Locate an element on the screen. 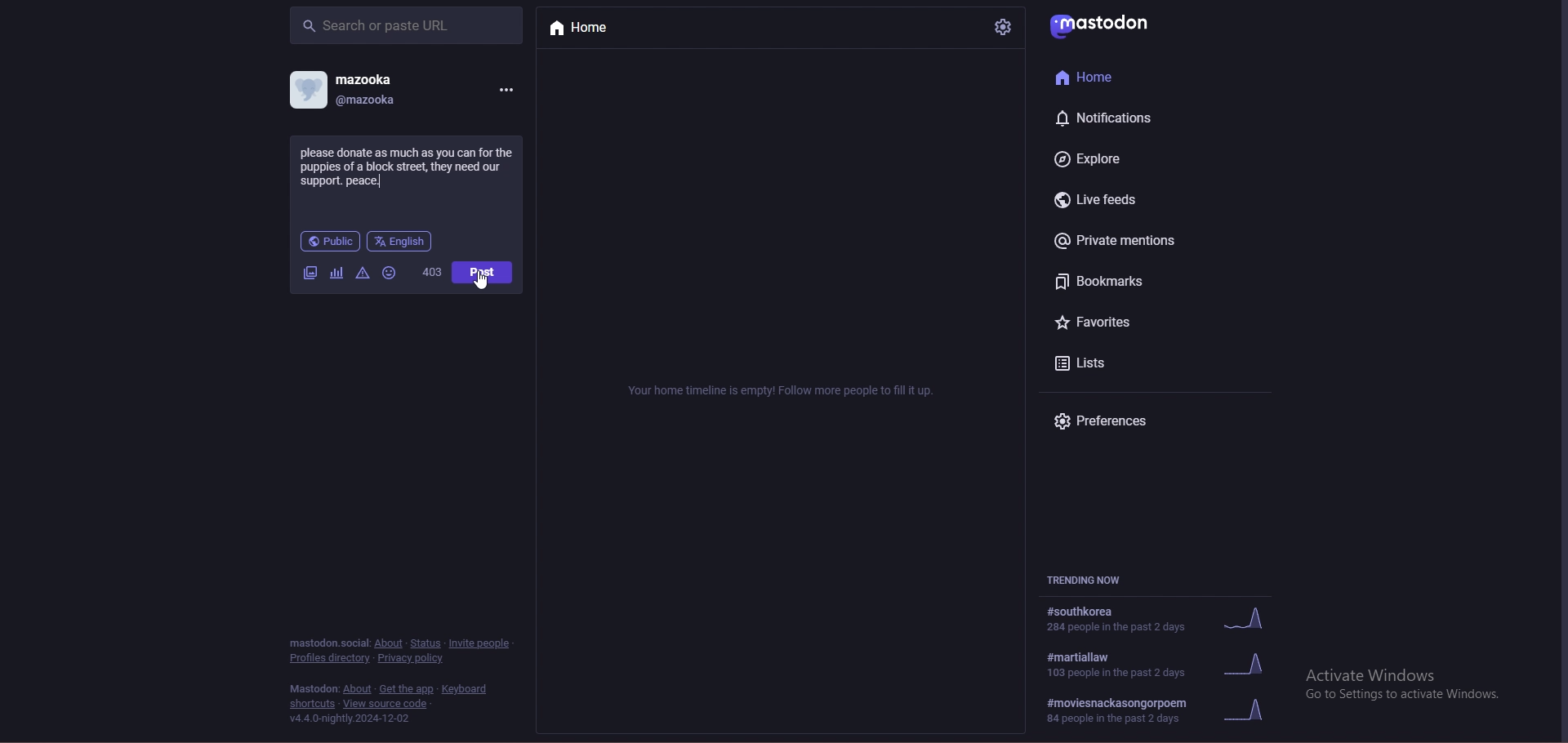 This screenshot has width=1568, height=743. warningas is located at coordinates (363, 274).